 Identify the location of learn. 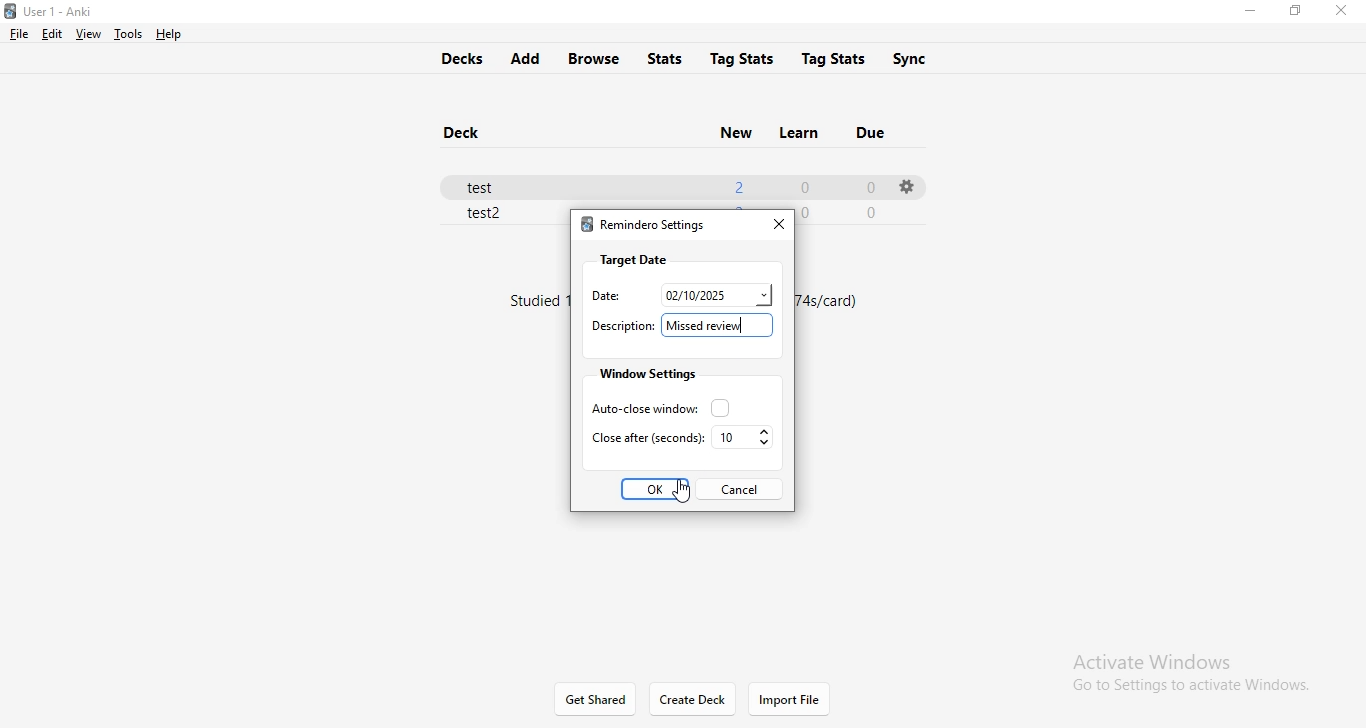
(796, 130).